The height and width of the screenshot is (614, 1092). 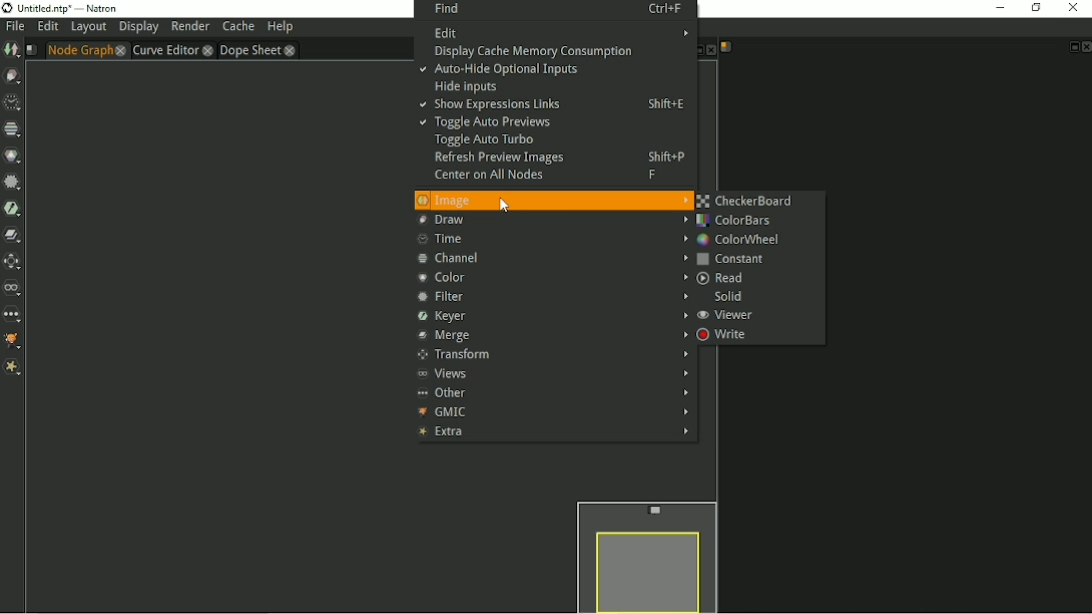 What do you see at coordinates (61, 8) in the screenshot?
I see `Title` at bounding box center [61, 8].